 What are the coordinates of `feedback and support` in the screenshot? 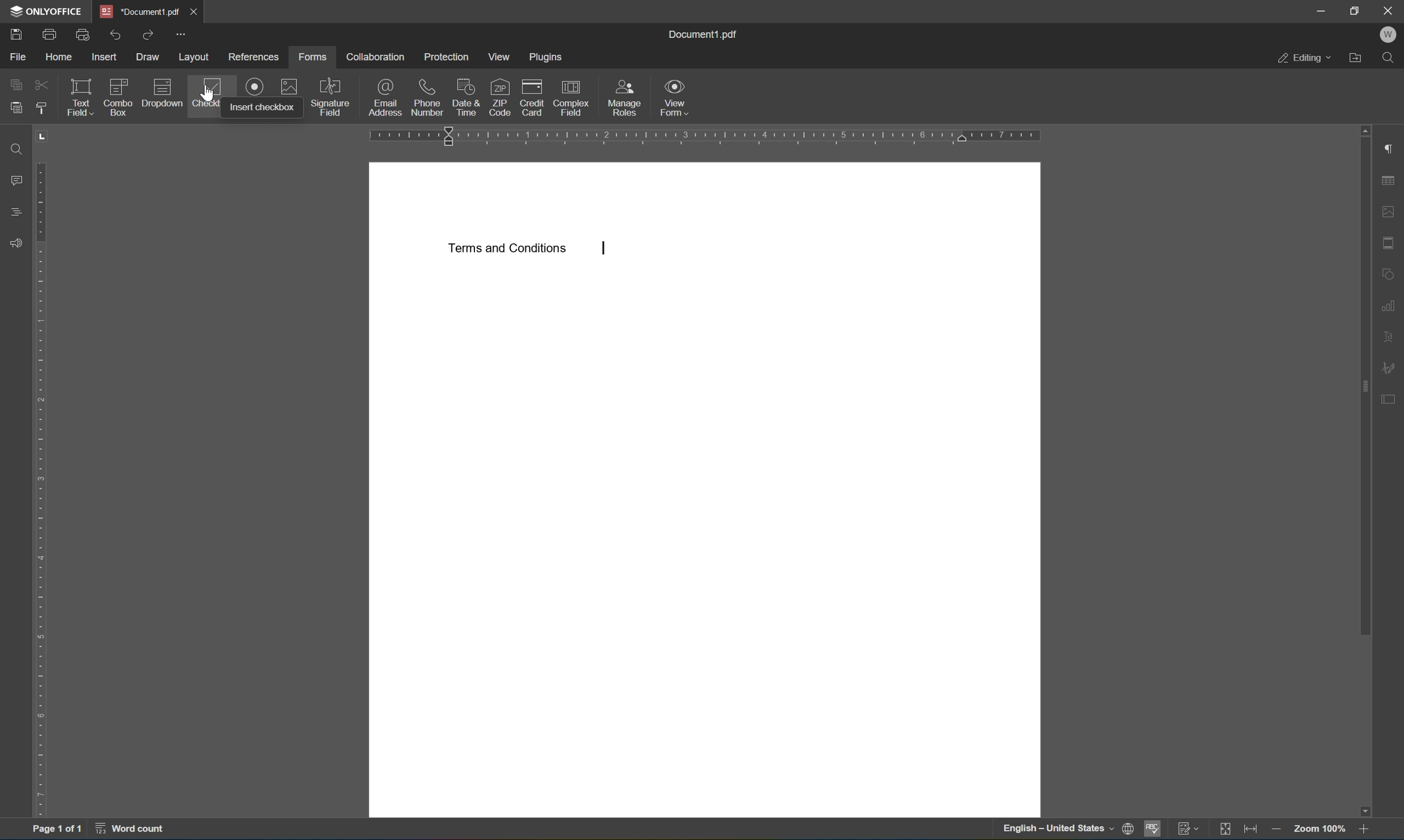 It's located at (17, 246).